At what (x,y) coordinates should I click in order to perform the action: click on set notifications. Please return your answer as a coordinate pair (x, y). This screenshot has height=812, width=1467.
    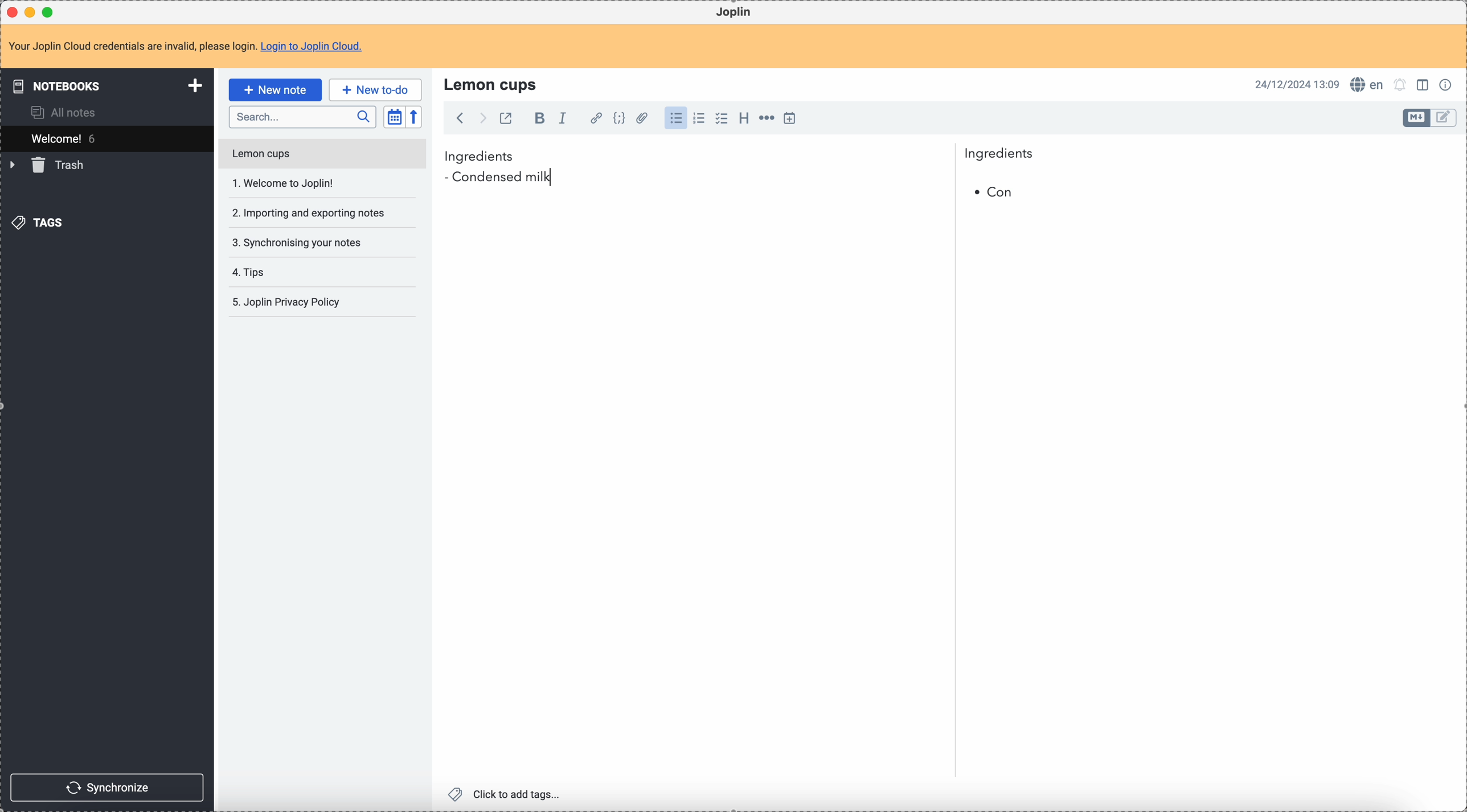
    Looking at the image, I should click on (1400, 84).